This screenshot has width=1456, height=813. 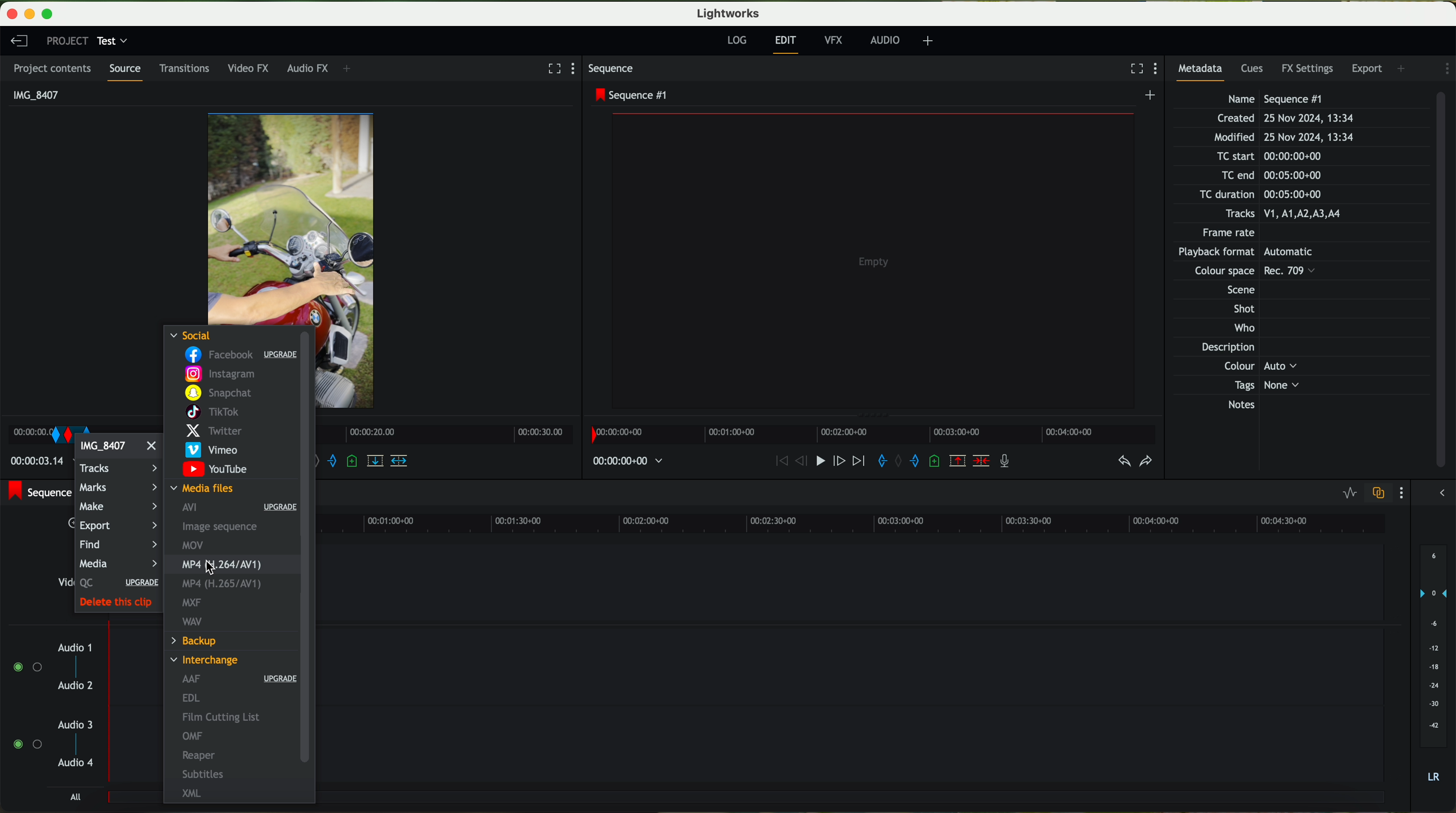 What do you see at coordinates (223, 716) in the screenshot?
I see `film cutting list` at bounding box center [223, 716].